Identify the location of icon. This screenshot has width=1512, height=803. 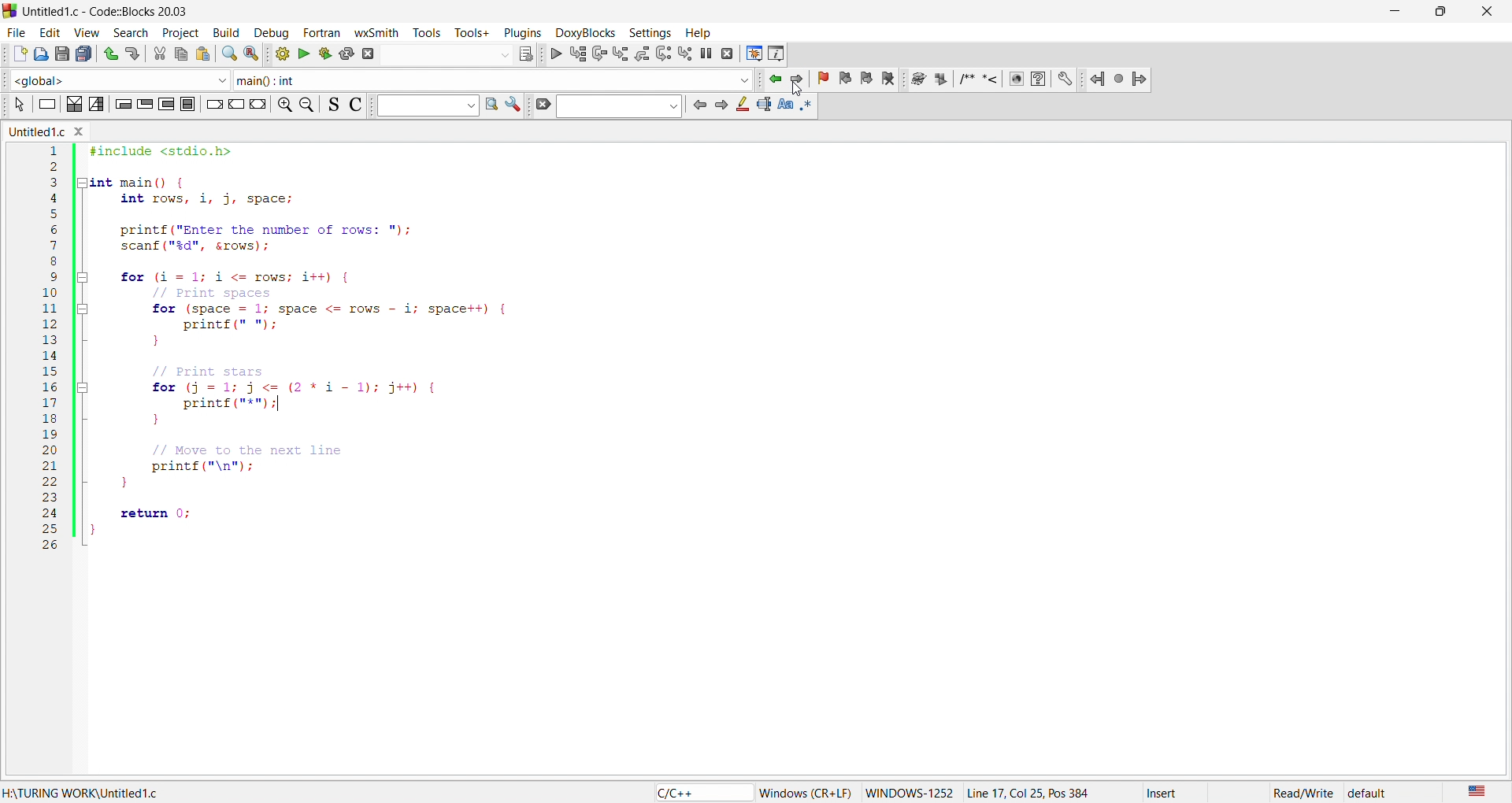
(356, 104).